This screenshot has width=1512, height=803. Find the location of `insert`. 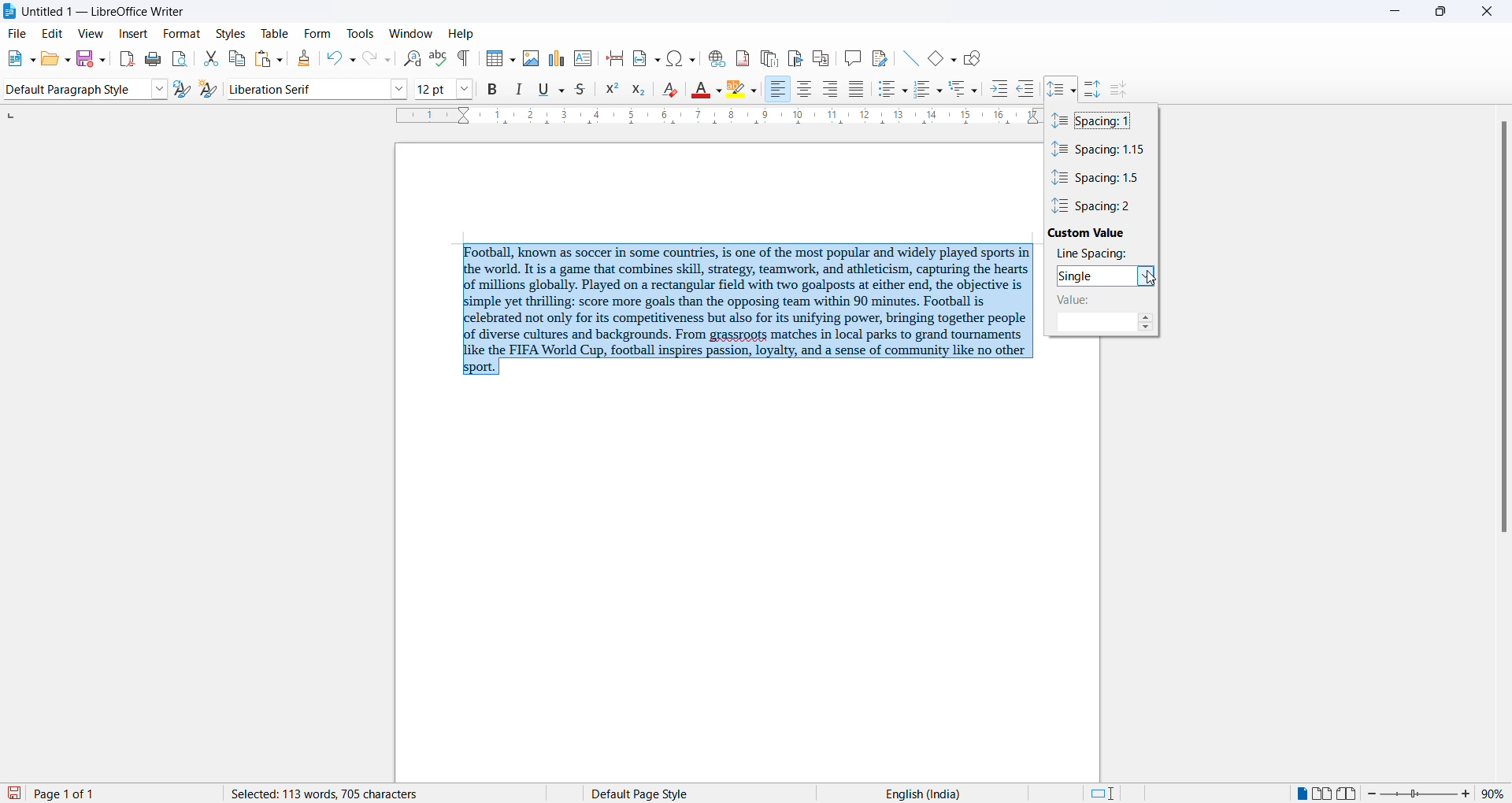

insert is located at coordinates (134, 35).